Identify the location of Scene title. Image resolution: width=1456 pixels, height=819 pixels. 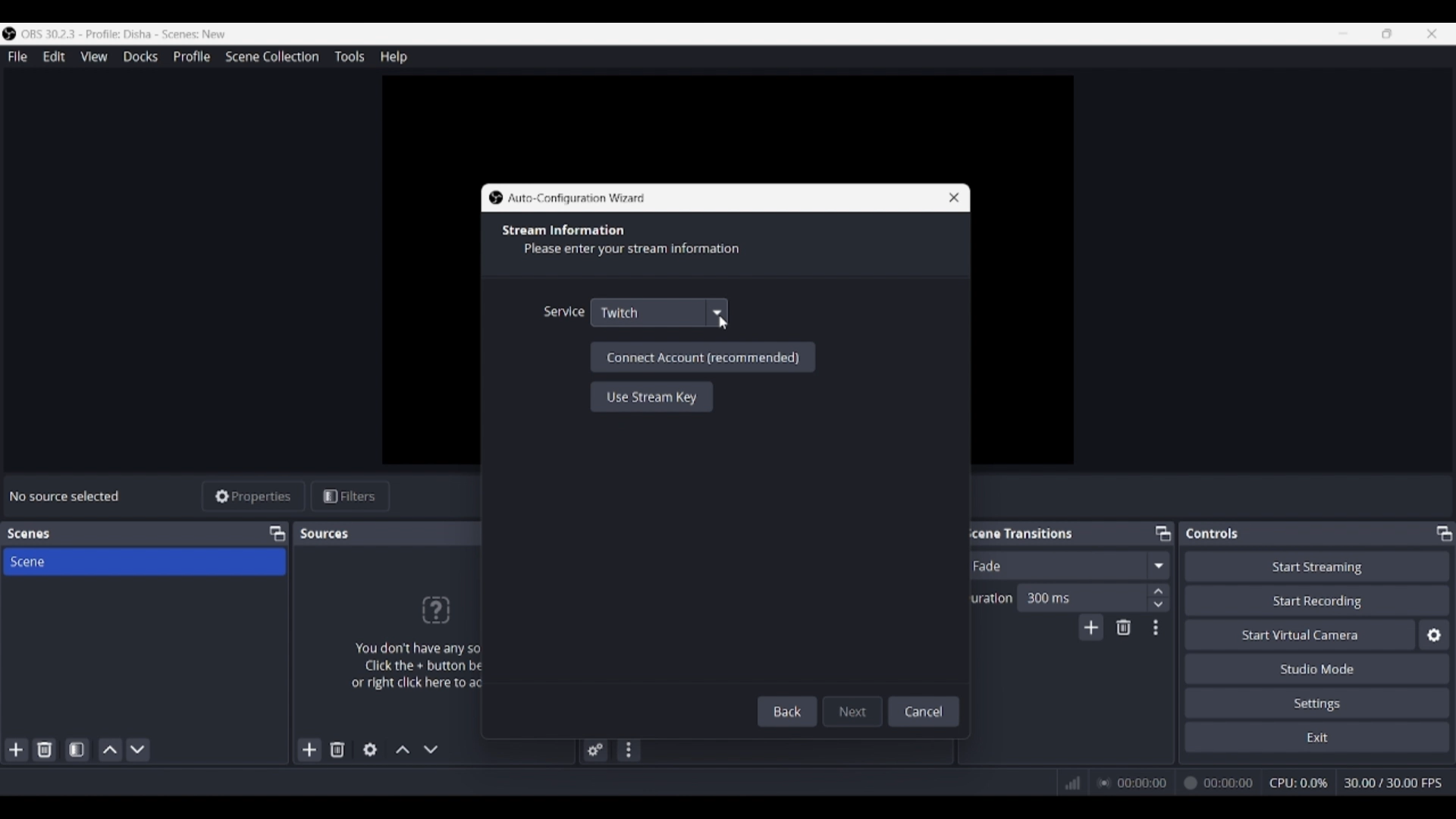
(144, 561).